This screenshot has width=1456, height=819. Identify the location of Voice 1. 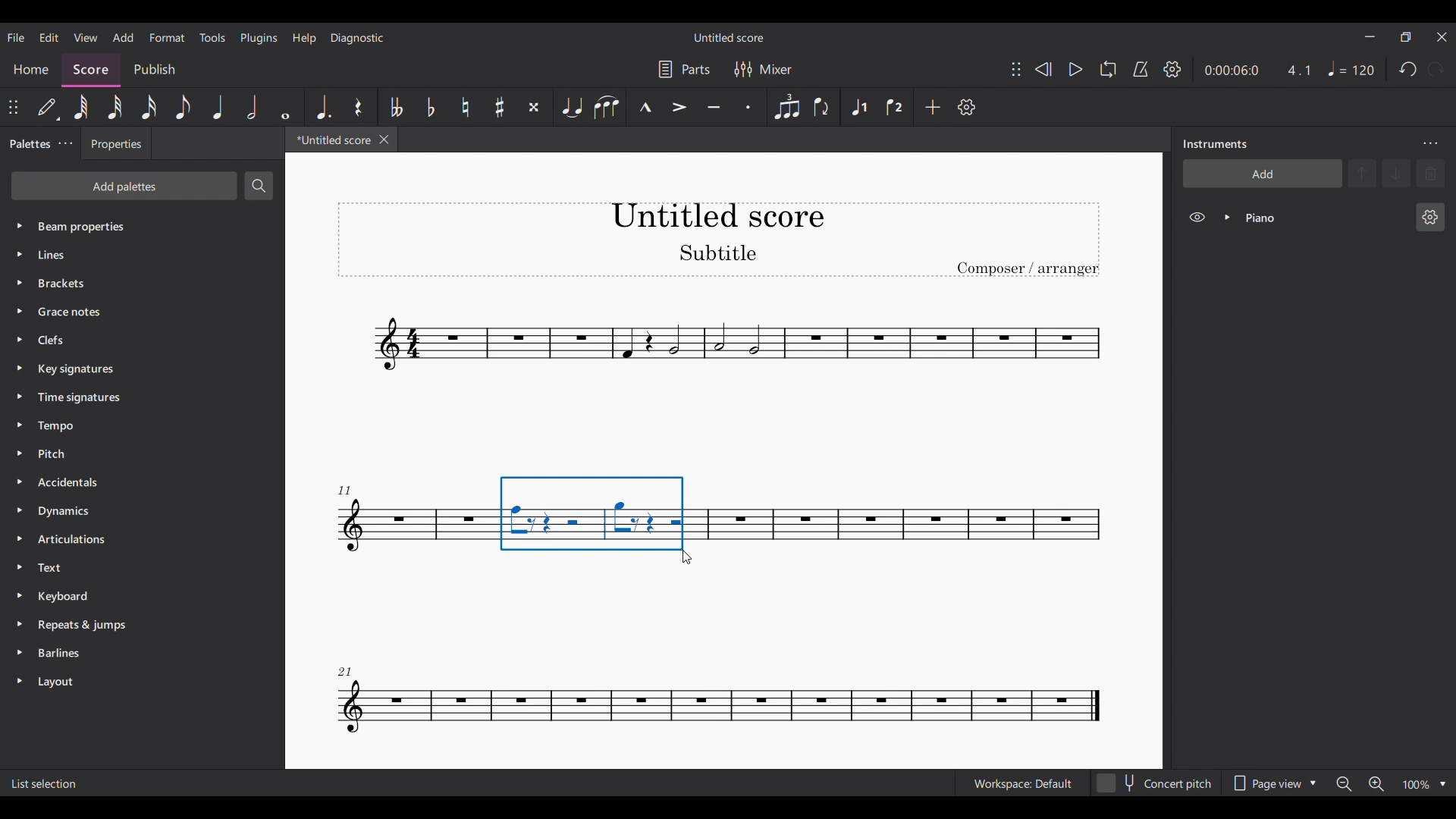
(859, 107).